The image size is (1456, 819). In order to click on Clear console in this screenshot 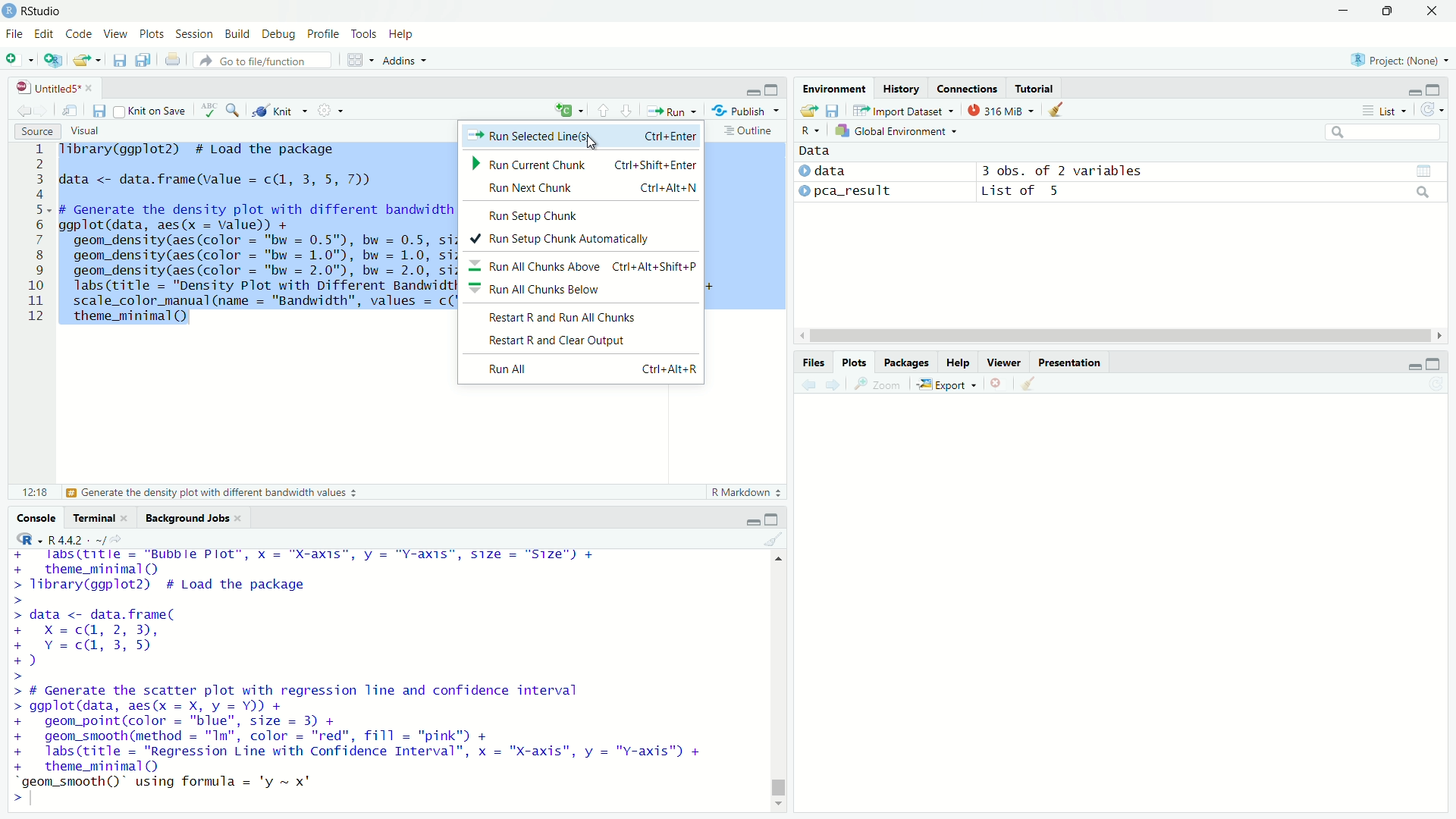, I will do `click(774, 539)`.